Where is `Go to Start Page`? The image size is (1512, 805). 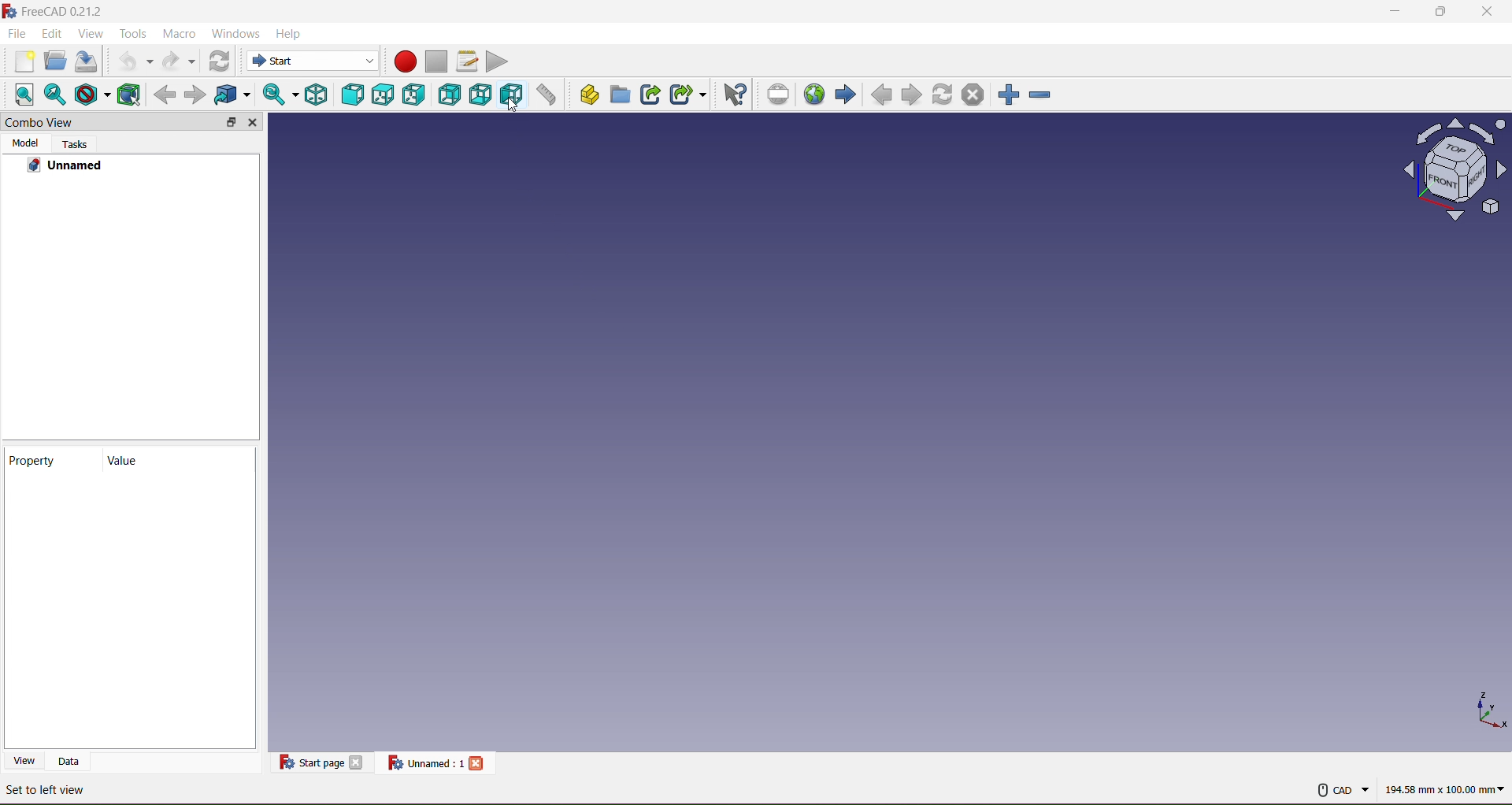 Go to Start Page is located at coordinates (813, 94).